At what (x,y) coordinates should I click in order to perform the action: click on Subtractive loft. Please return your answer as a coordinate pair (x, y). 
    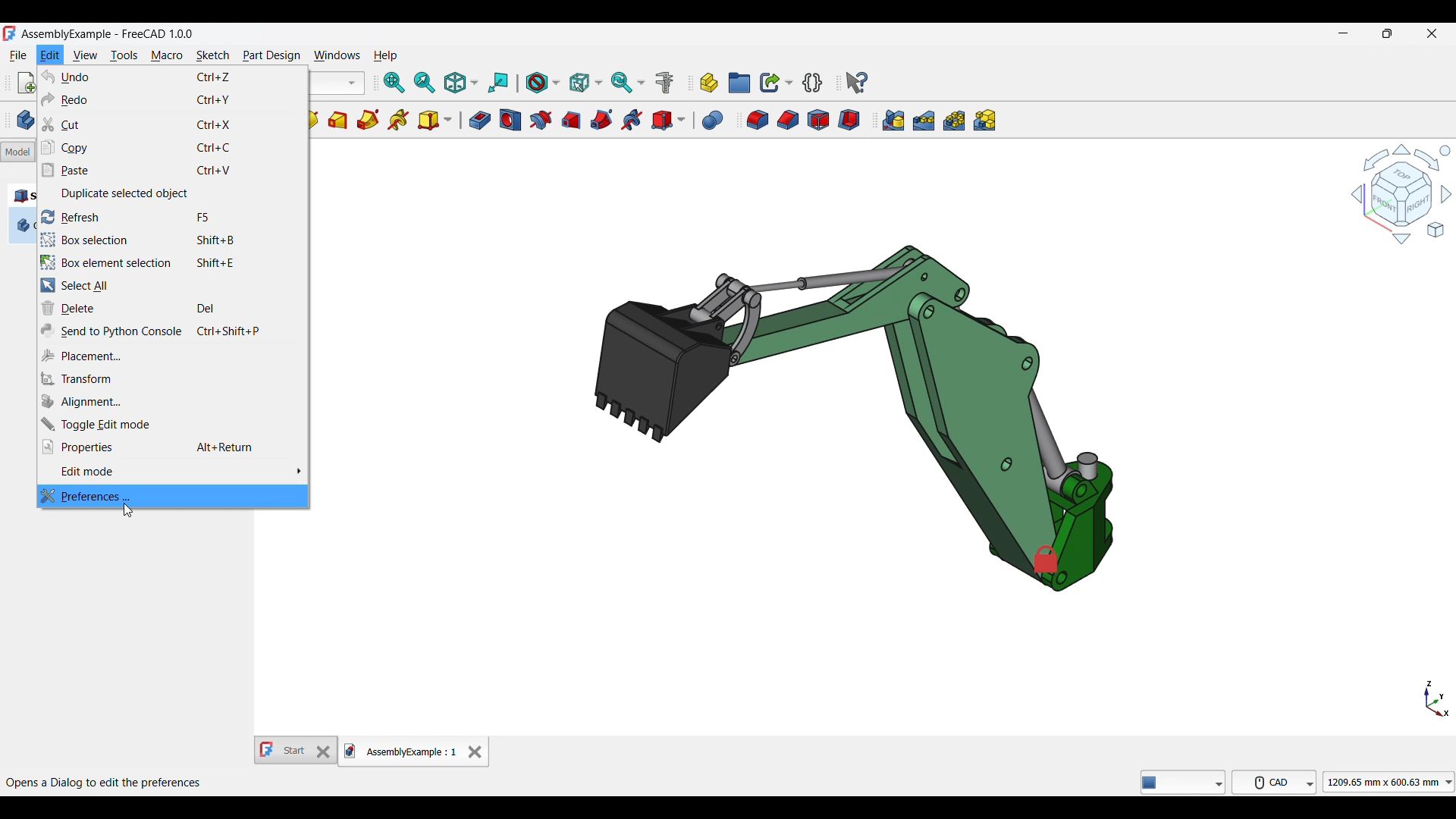
    Looking at the image, I should click on (570, 121).